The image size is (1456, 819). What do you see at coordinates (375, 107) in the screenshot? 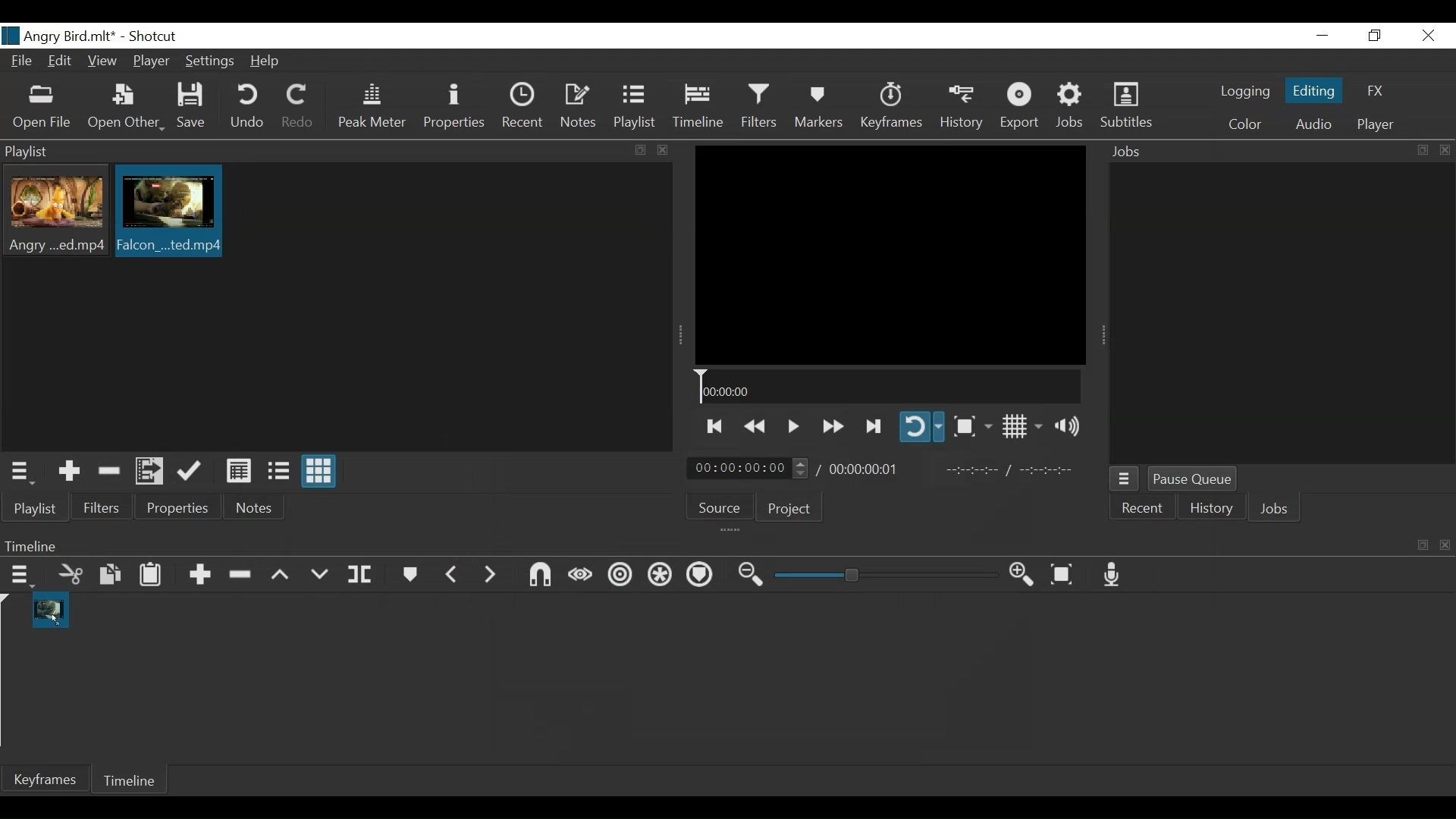
I see `Peak Meter` at bounding box center [375, 107].